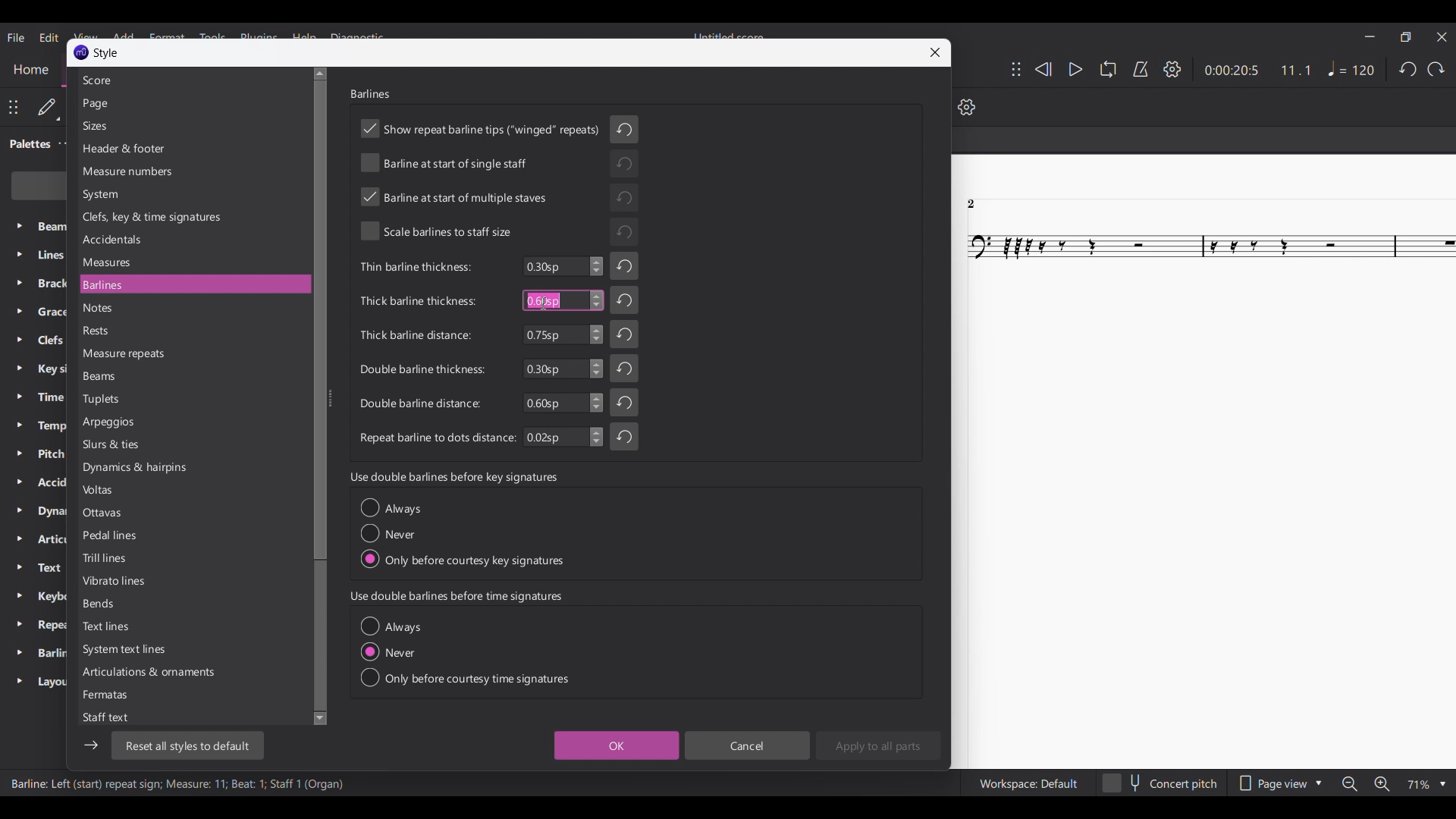 The width and height of the screenshot is (1456, 819). Describe the element at coordinates (331, 401) in the screenshot. I see `Change width of side panel ` at that location.